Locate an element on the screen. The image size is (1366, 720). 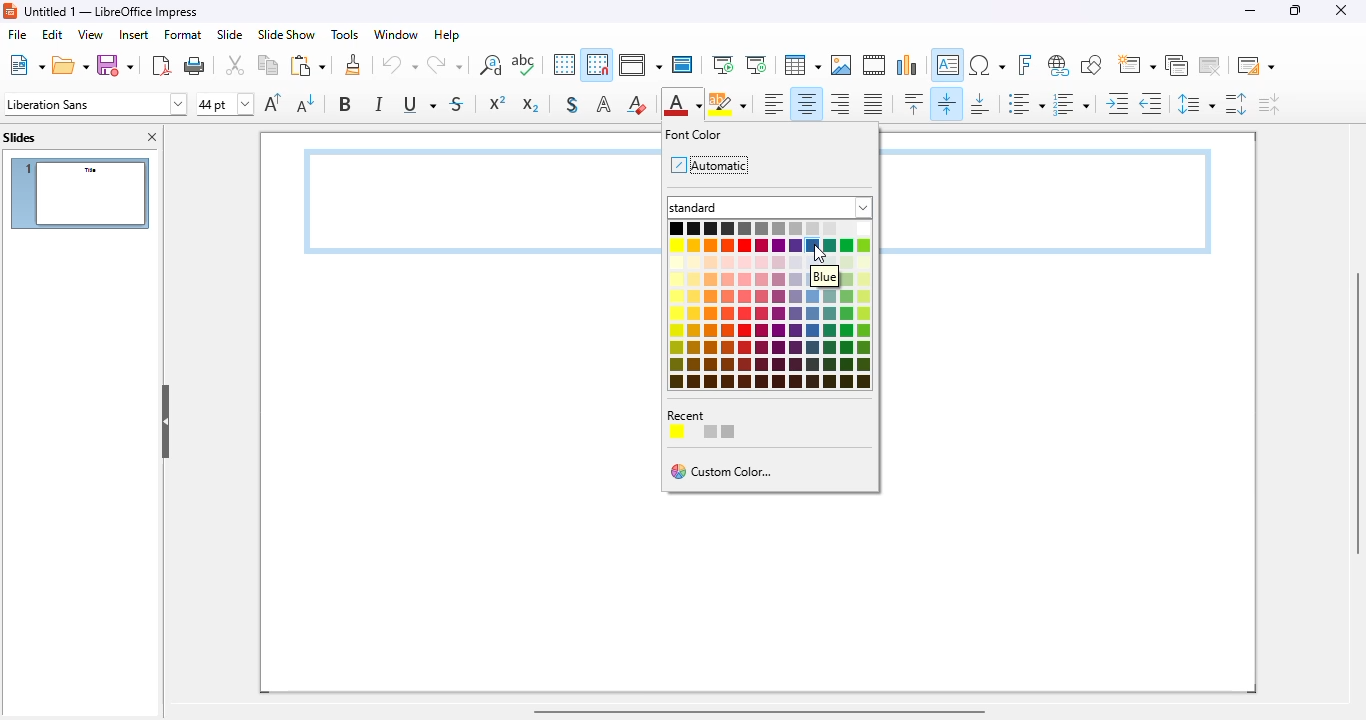
cursor is located at coordinates (820, 255).